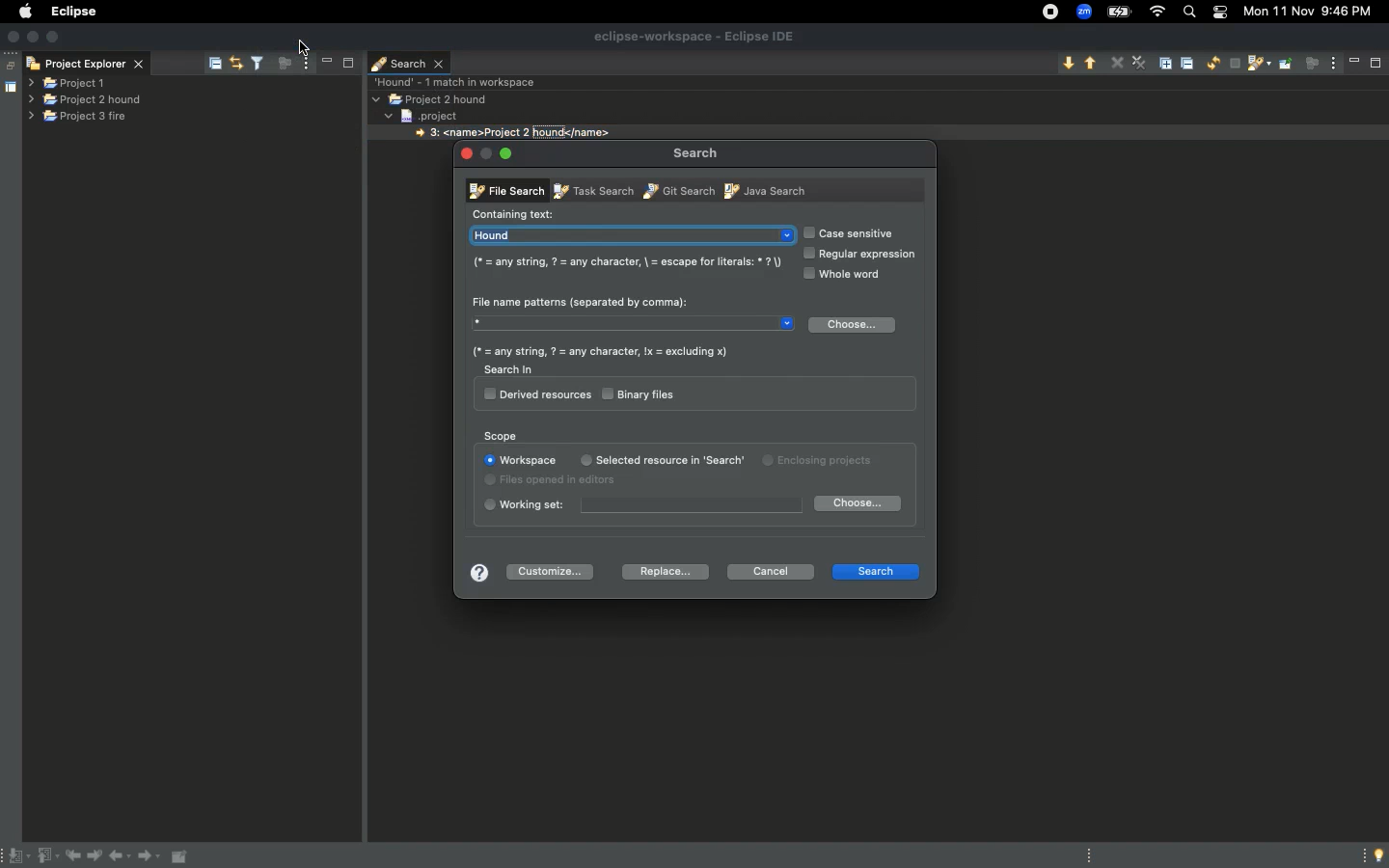 The width and height of the screenshot is (1389, 868). Describe the element at coordinates (517, 212) in the screenshot. I see `Containing text` at that location.